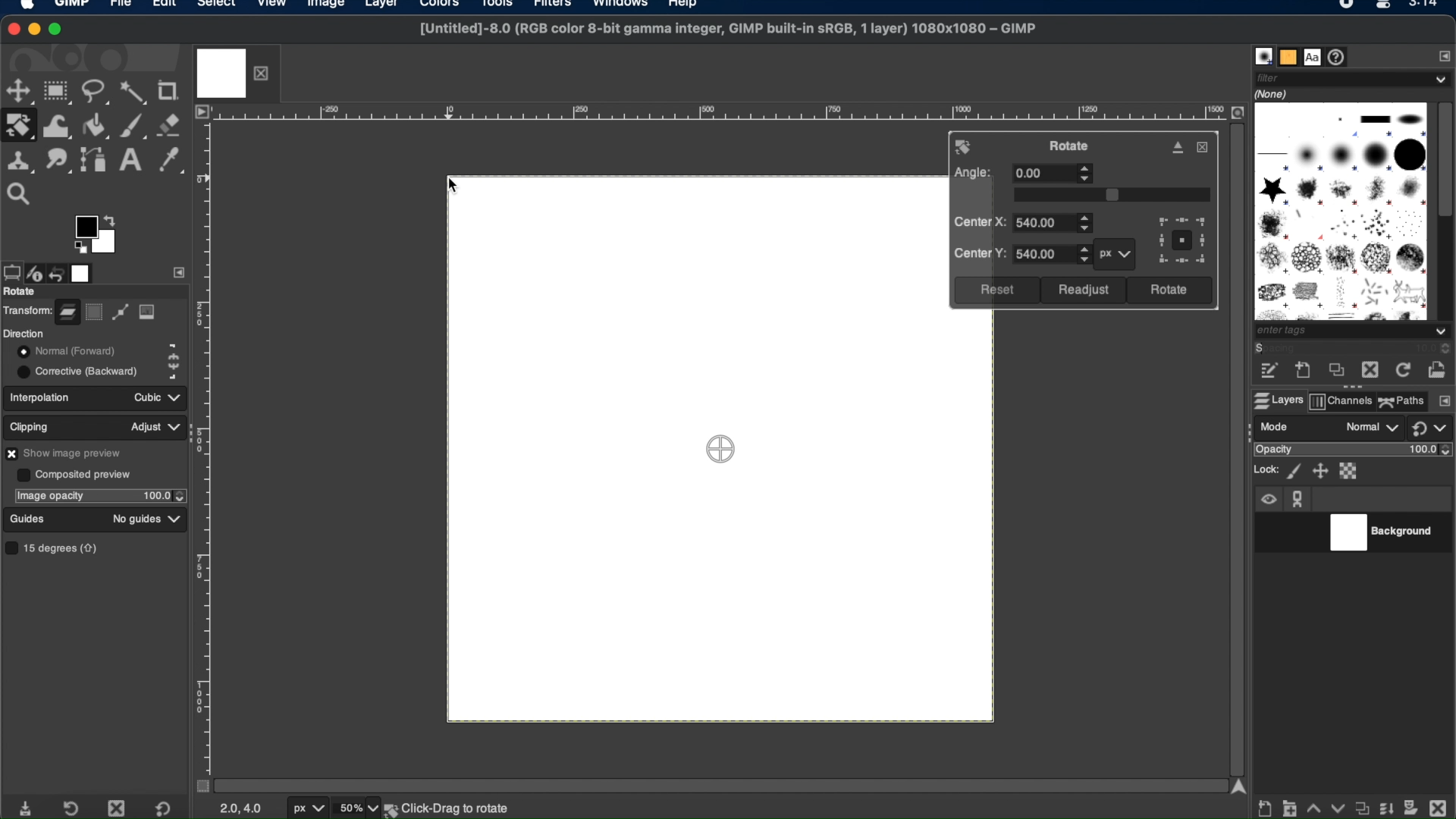 This screenshot has height=819, width=1456. What do you see at coordinates (1274, 93) in the screenshot?
I see `none` at bounding box center [1274, 93].